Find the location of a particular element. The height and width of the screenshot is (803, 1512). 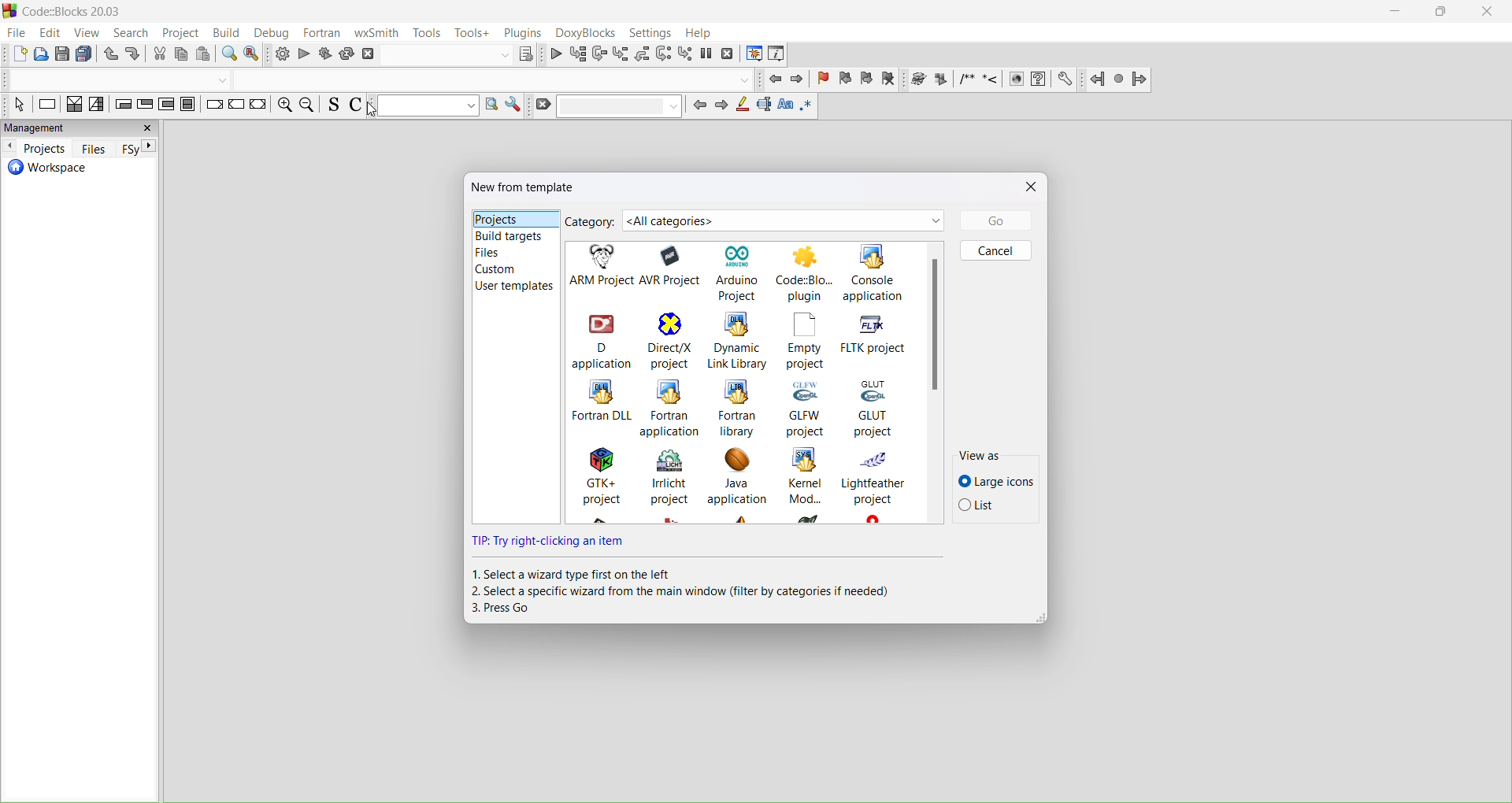

decision is located at coordinates (74, 105).